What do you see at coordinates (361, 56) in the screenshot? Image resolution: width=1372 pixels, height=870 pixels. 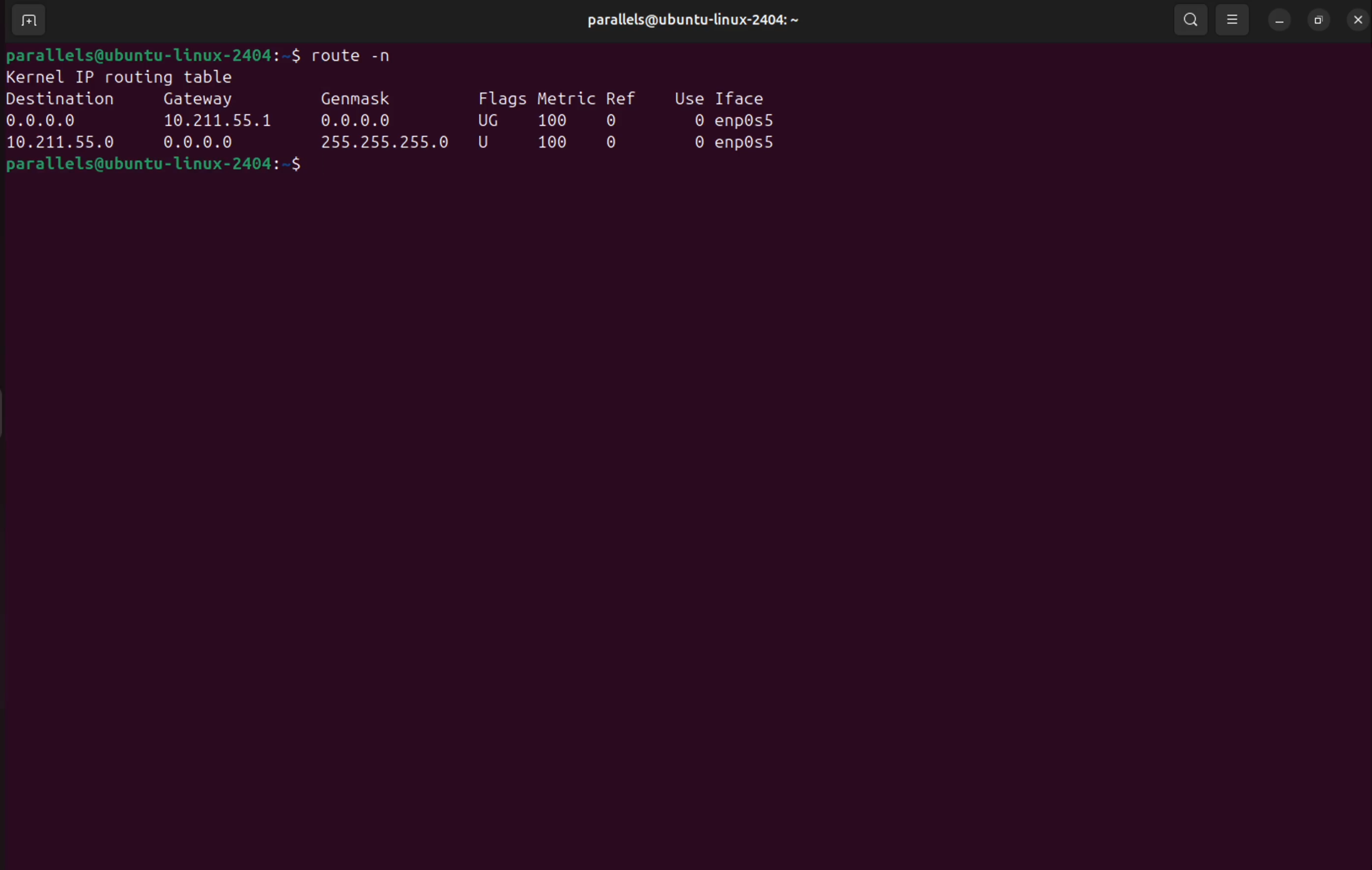 I see `route -n` at bounding box center [361, 56].